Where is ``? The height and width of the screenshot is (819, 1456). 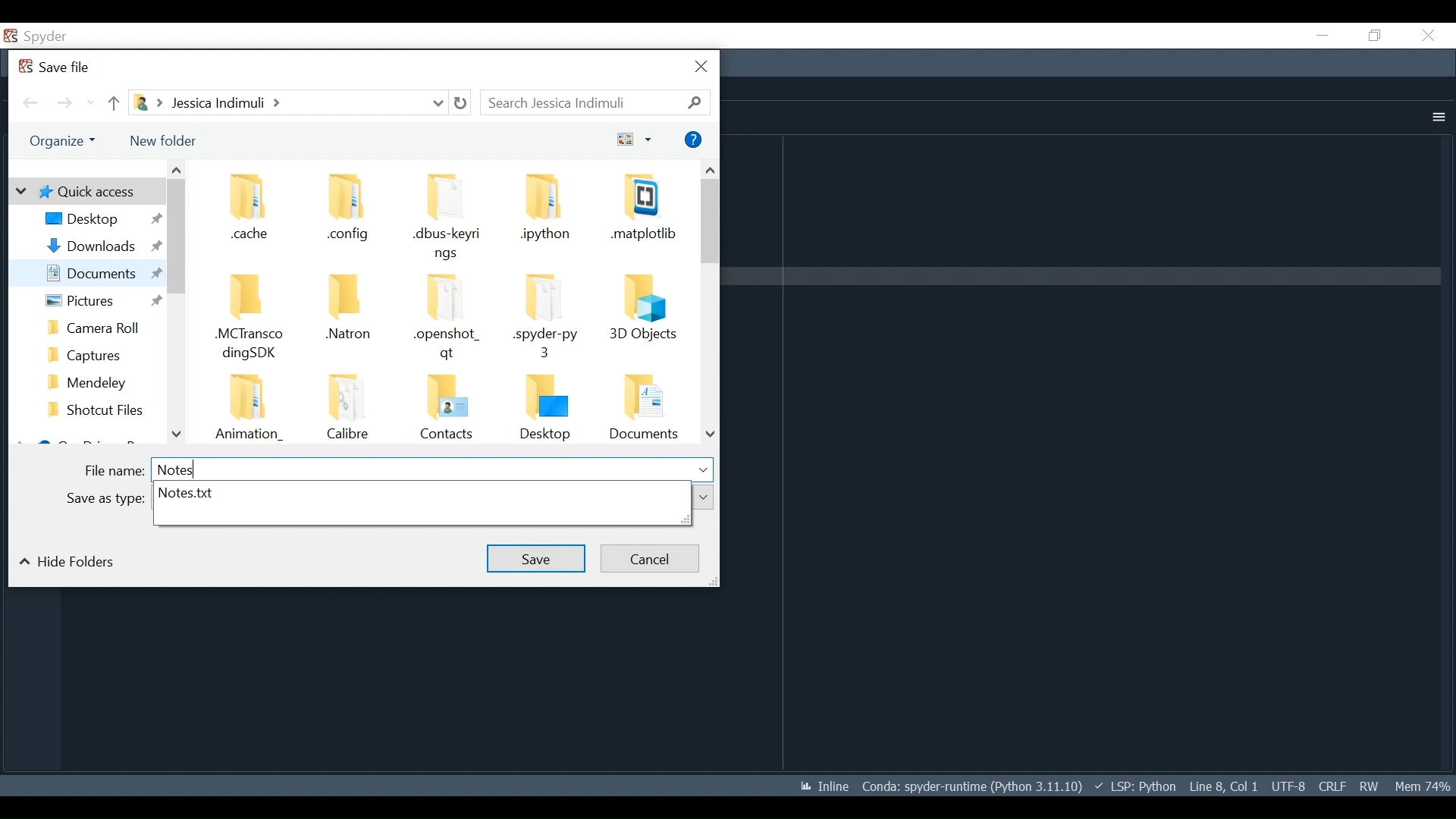  is located at coordinates (101, 499).